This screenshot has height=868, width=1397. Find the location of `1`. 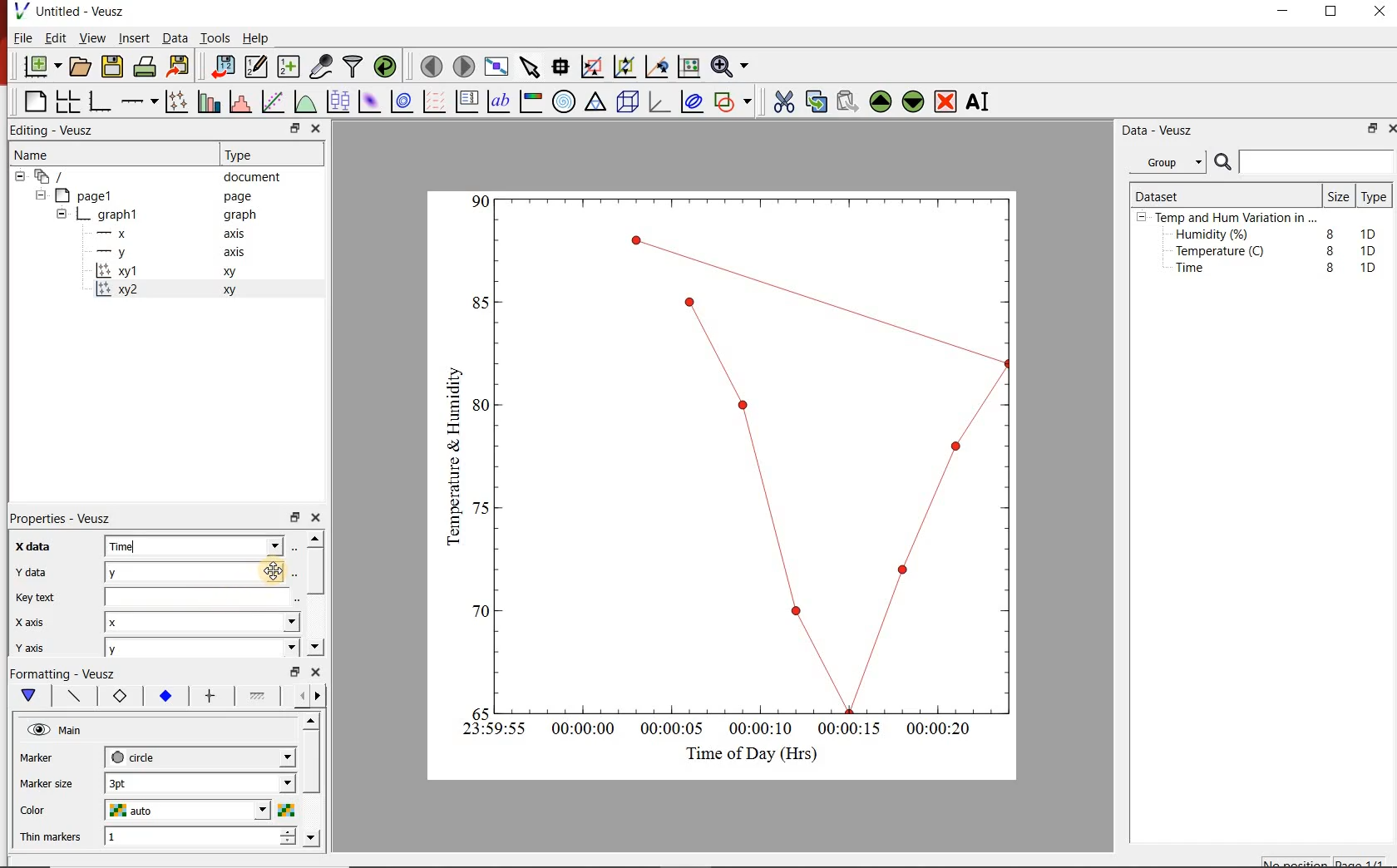

1 is located at coordinates (160, 838).